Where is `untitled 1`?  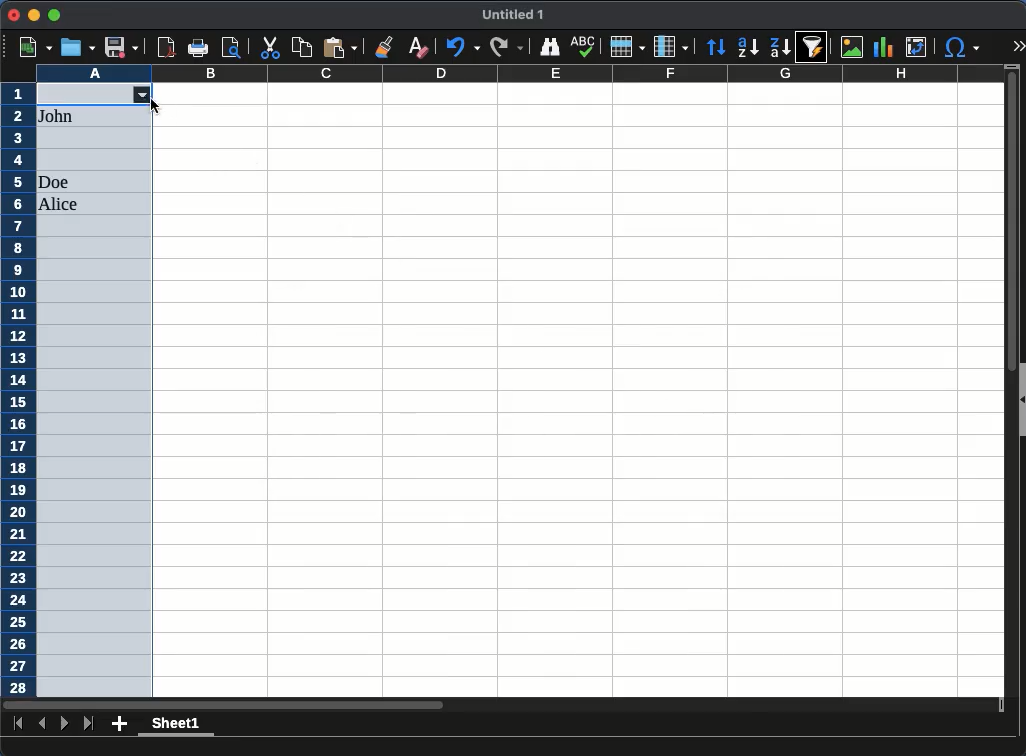
untitled 1 is located at coordinates (510, 15).